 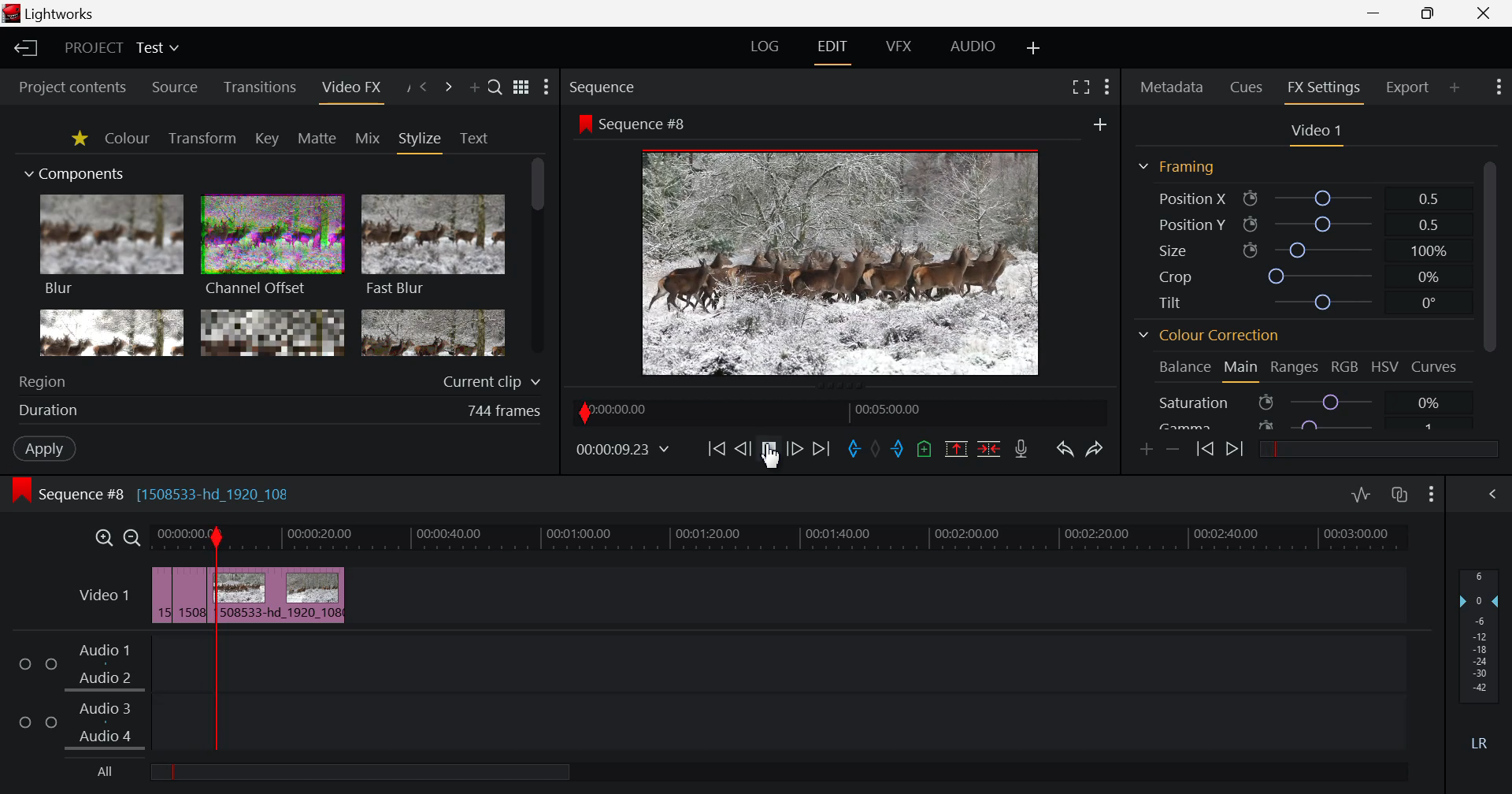 What do you see at coordinates (1065, 451) in the screenshot?
I see `Undo` at bounding box center [1065, 451].